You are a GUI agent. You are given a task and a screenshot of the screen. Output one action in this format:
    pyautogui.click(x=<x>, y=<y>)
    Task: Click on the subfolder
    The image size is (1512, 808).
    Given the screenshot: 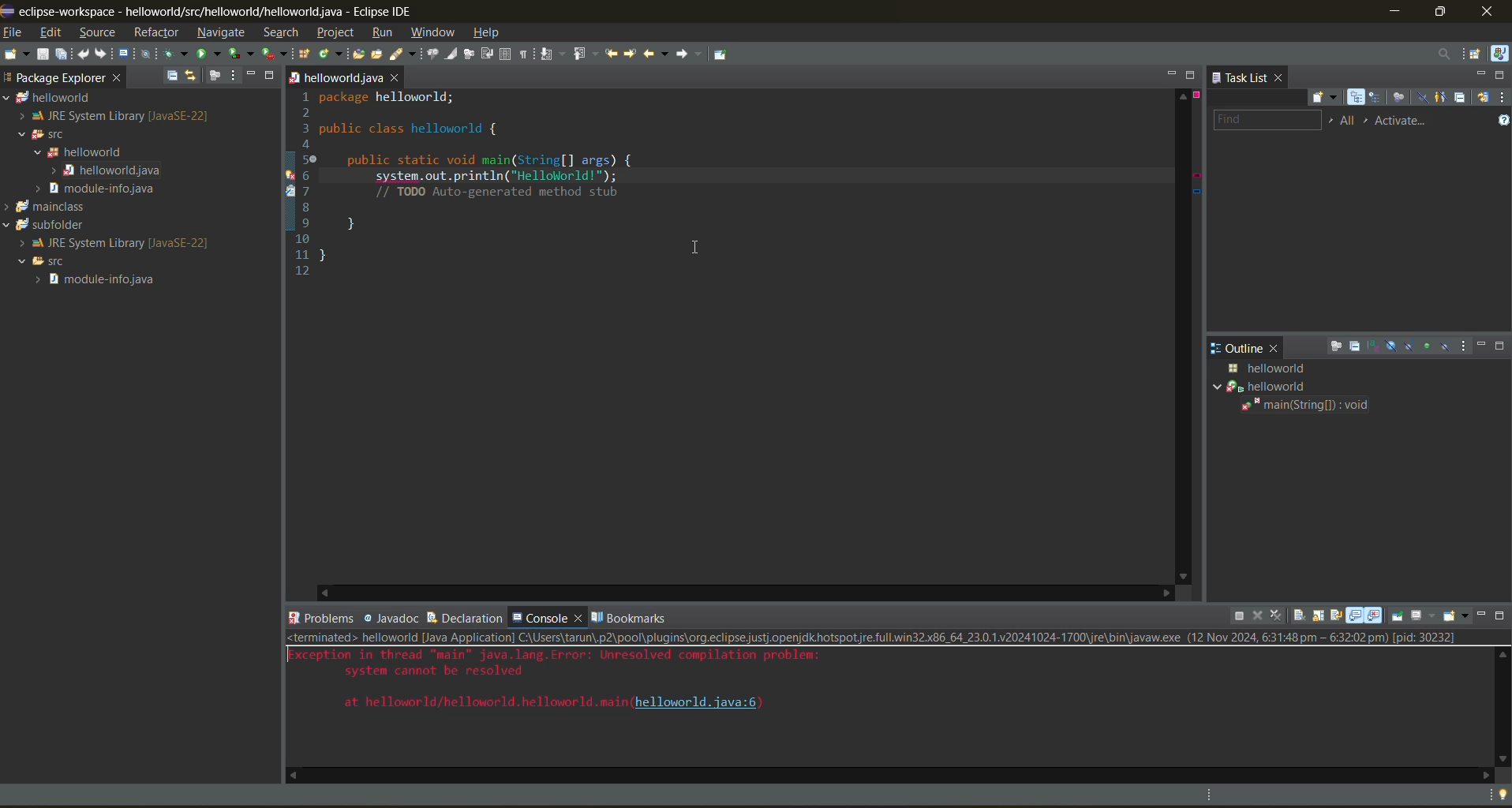 What is the action you would take?
    pyautogui.click(x=77, y=224)
    